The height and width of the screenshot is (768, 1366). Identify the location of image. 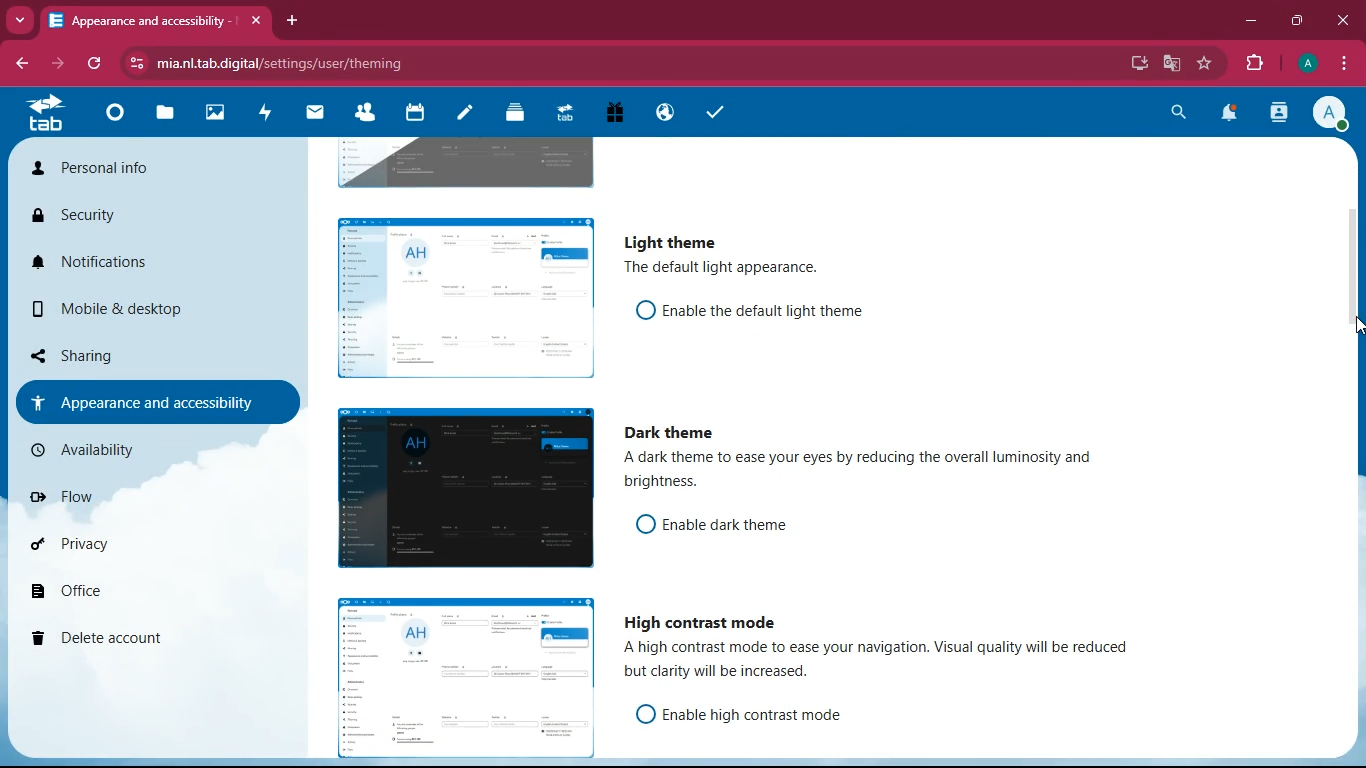
(457, 673).